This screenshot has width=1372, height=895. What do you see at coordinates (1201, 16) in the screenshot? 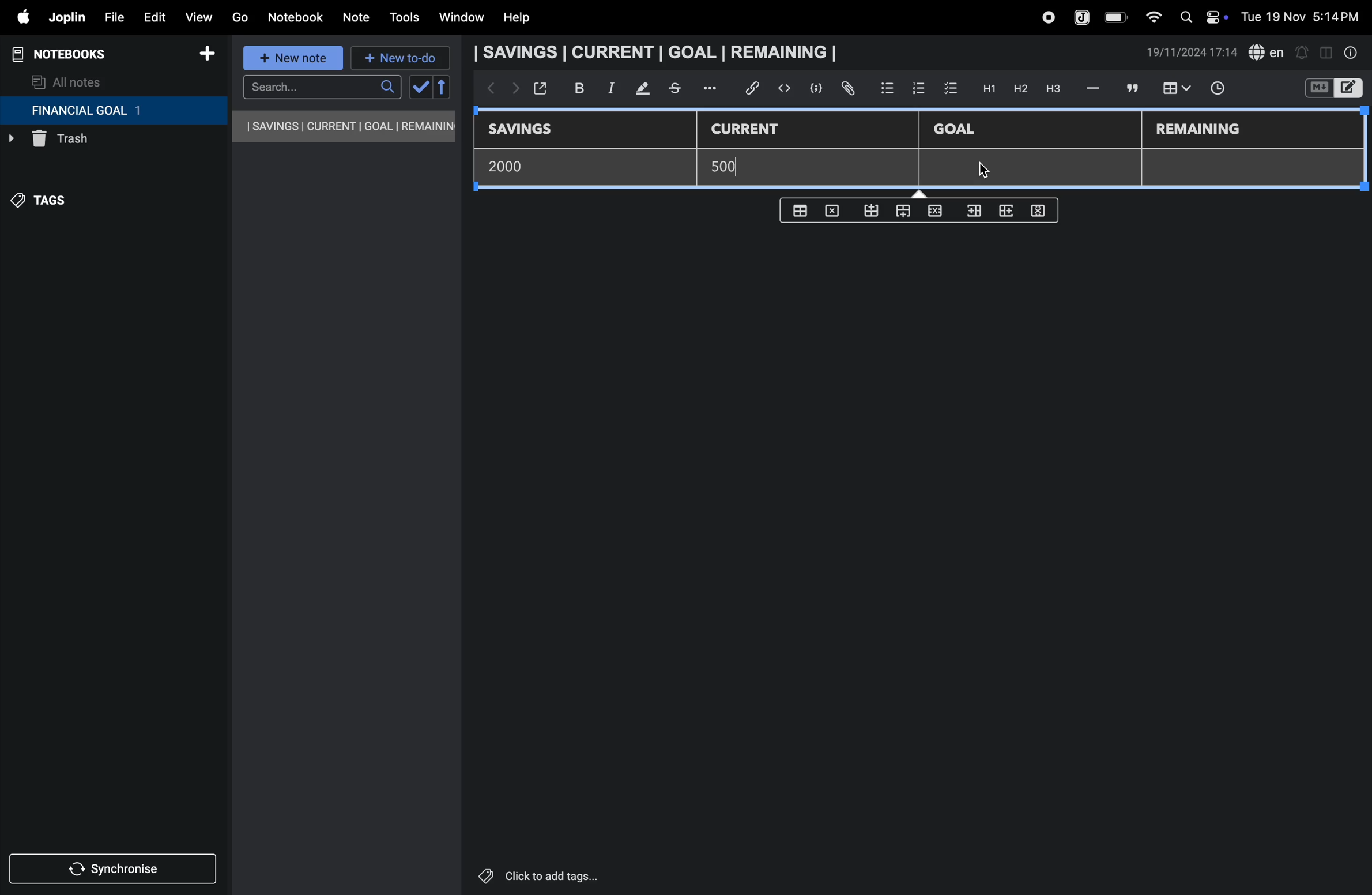
I see `apple widgets` at bounding box center [1201, 16].